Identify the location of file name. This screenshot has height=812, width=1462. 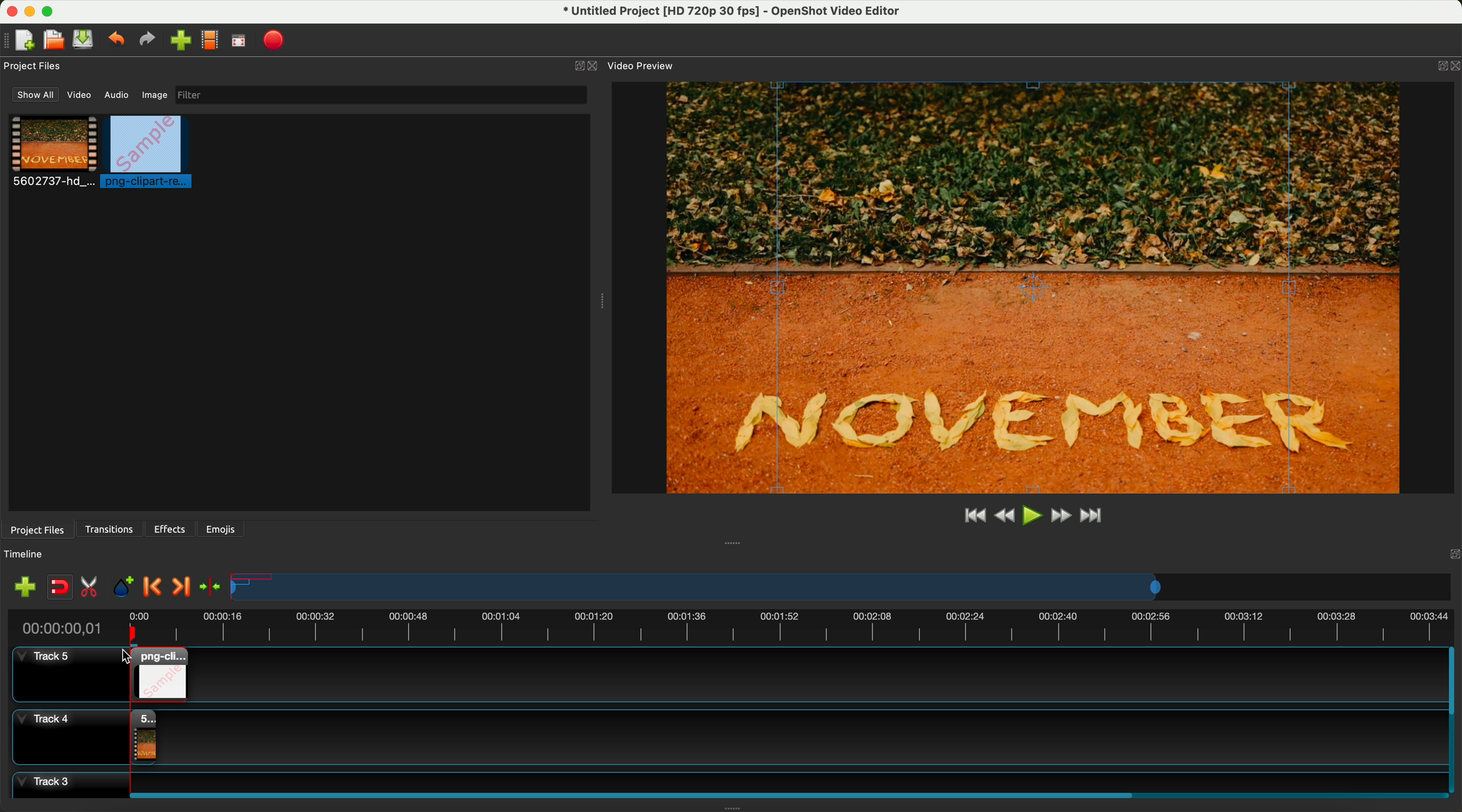
(725, 13).